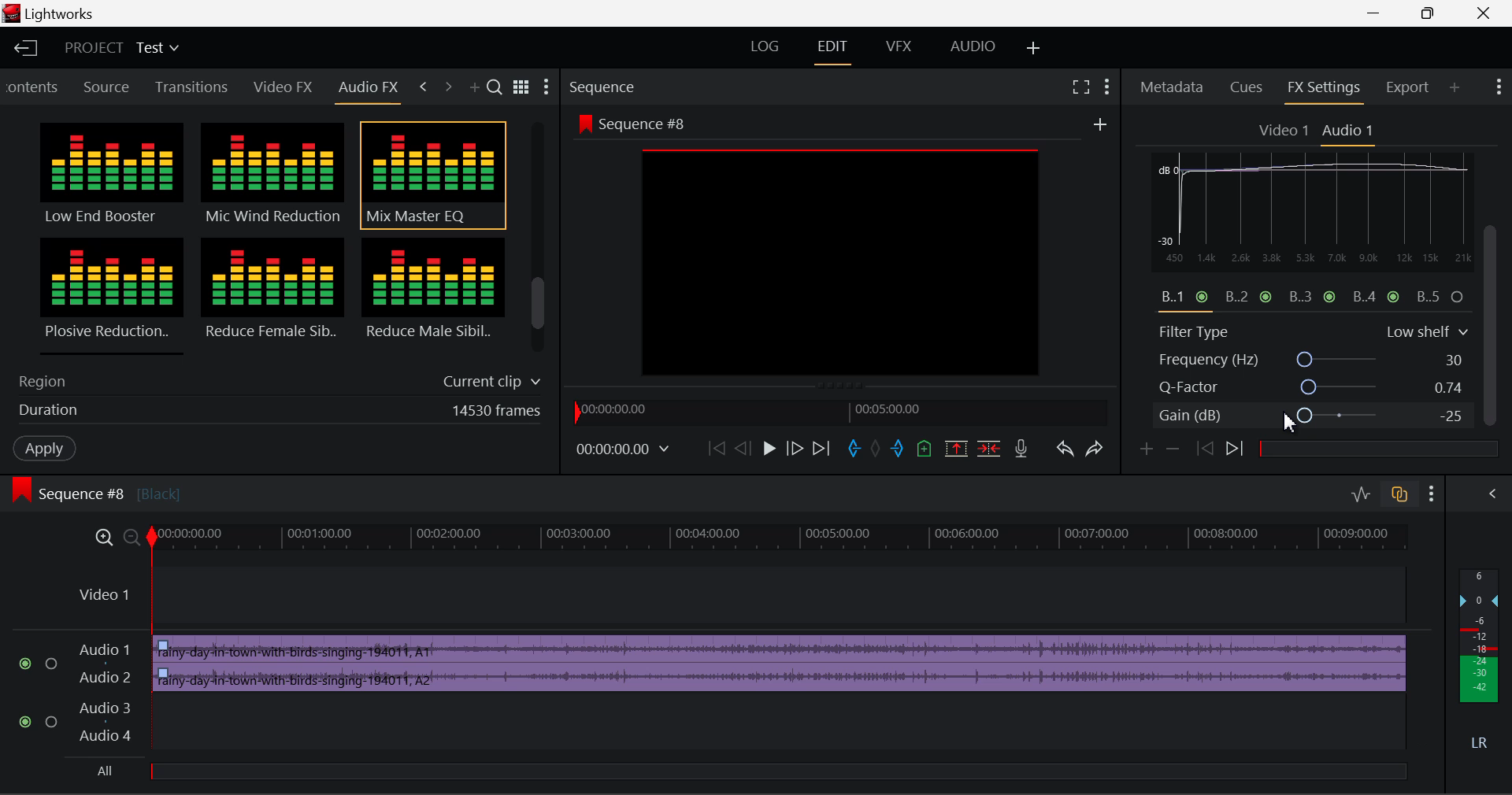 The width and height of the screenshot is (1512, 795). I want to click on LOG Layout, so click(762, 47).